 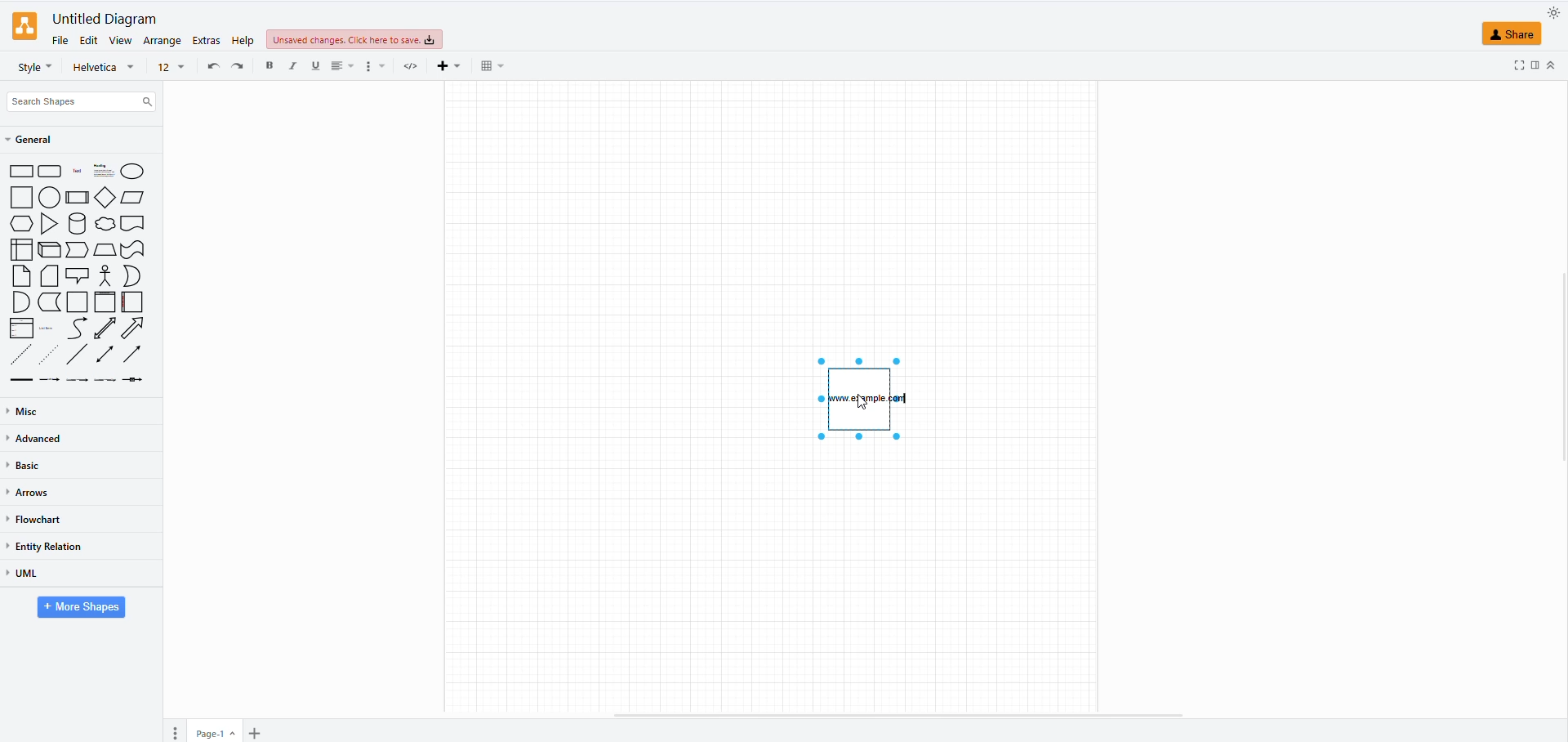 What do you see at coordinates (49, 251) in the screenshot?
I see `cube` at bounding box center [49, 251].